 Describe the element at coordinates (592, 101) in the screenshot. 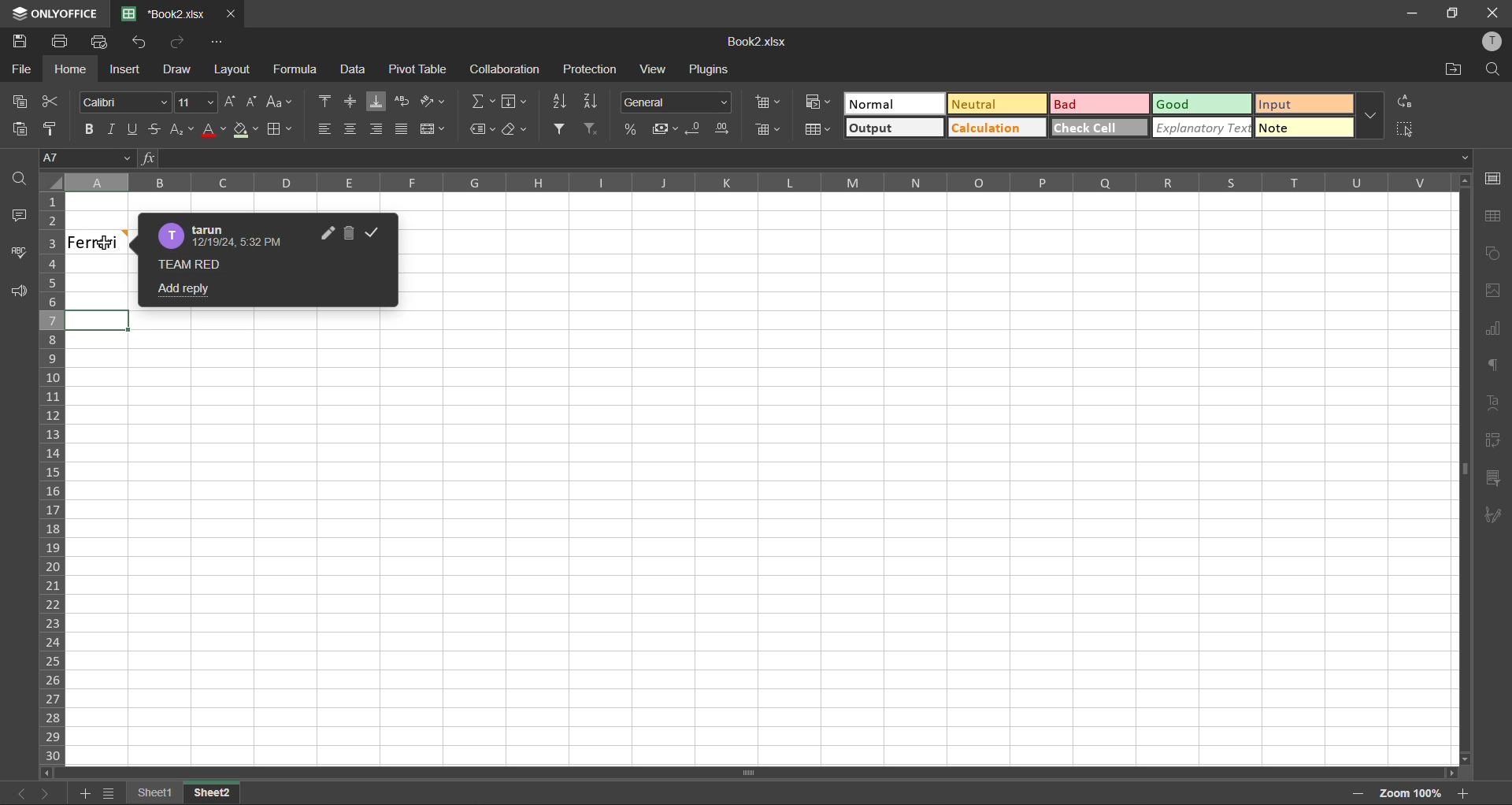

I see `sort descending` at that location.